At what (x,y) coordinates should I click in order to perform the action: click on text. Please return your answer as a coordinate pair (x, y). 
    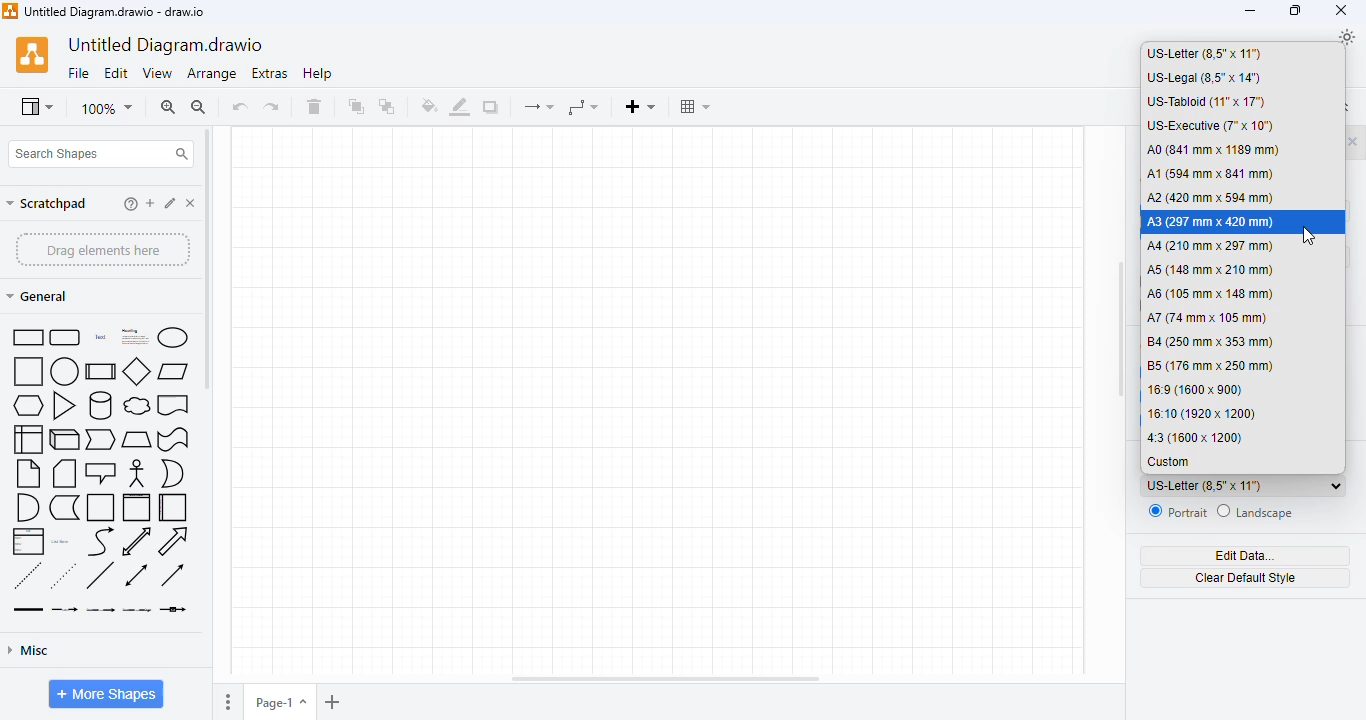
    Looking at the image, I should click on (100, 337).